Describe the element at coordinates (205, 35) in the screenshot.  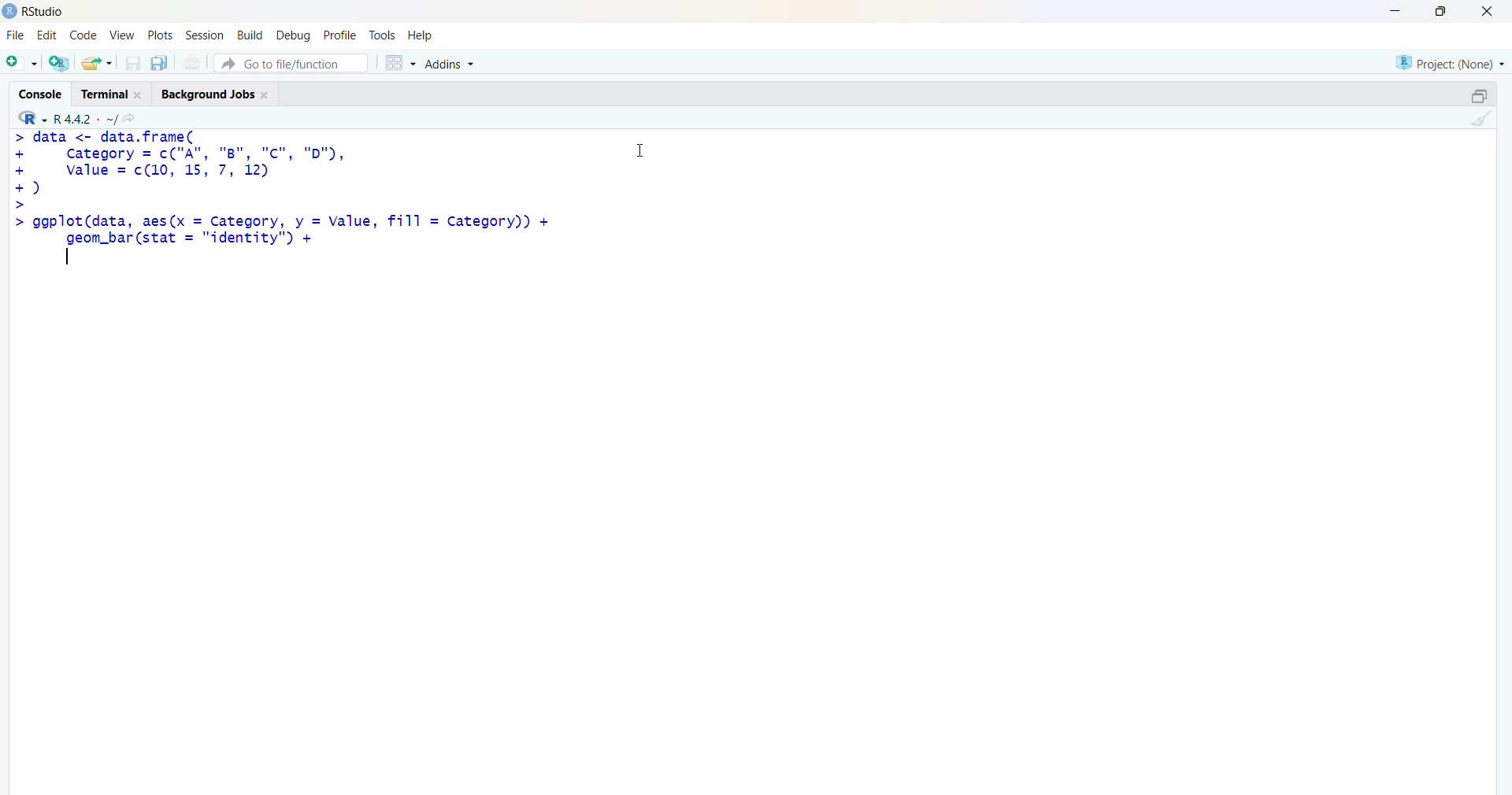
I see `Session` at that location.